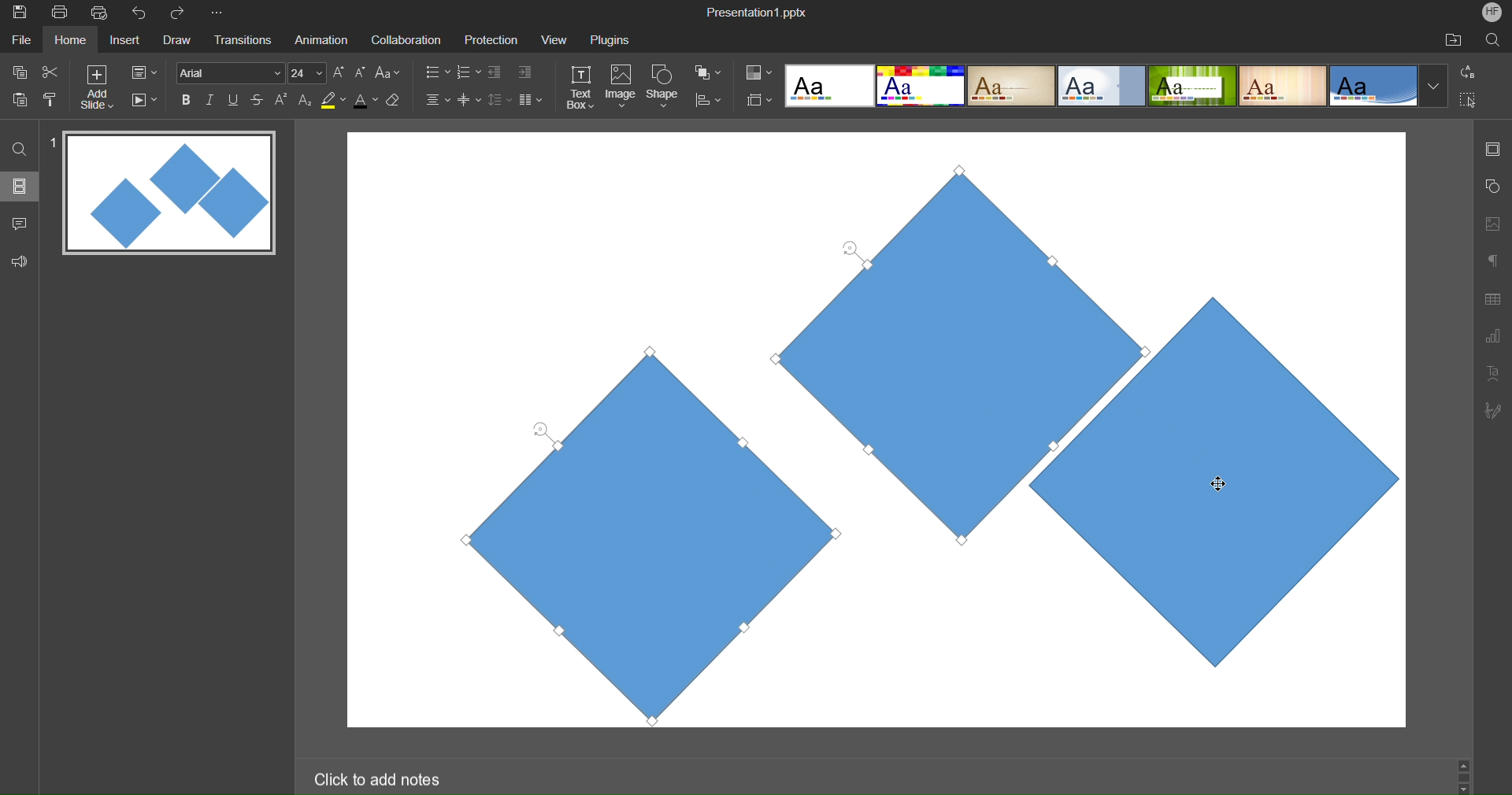  What do you see at coordinates (982, 348) in the screenshot?
I see `Shape 2 Selected` at bounding box center [982, 348].